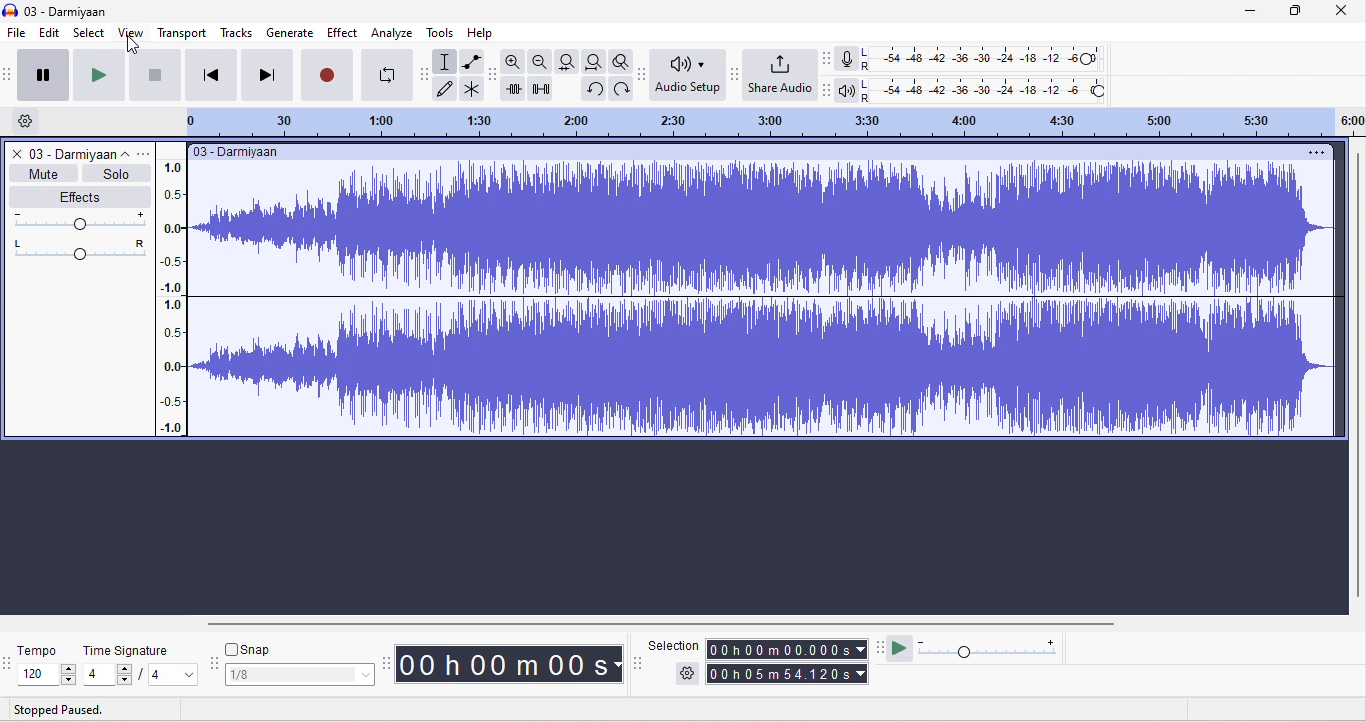 Image resolution: width=1366 pixels, height=722 pixels. What do you see at coordinates (768, 124) in the screenshot?
I see `timeline: drag to lop timeline` at bounding box center [768, 124].